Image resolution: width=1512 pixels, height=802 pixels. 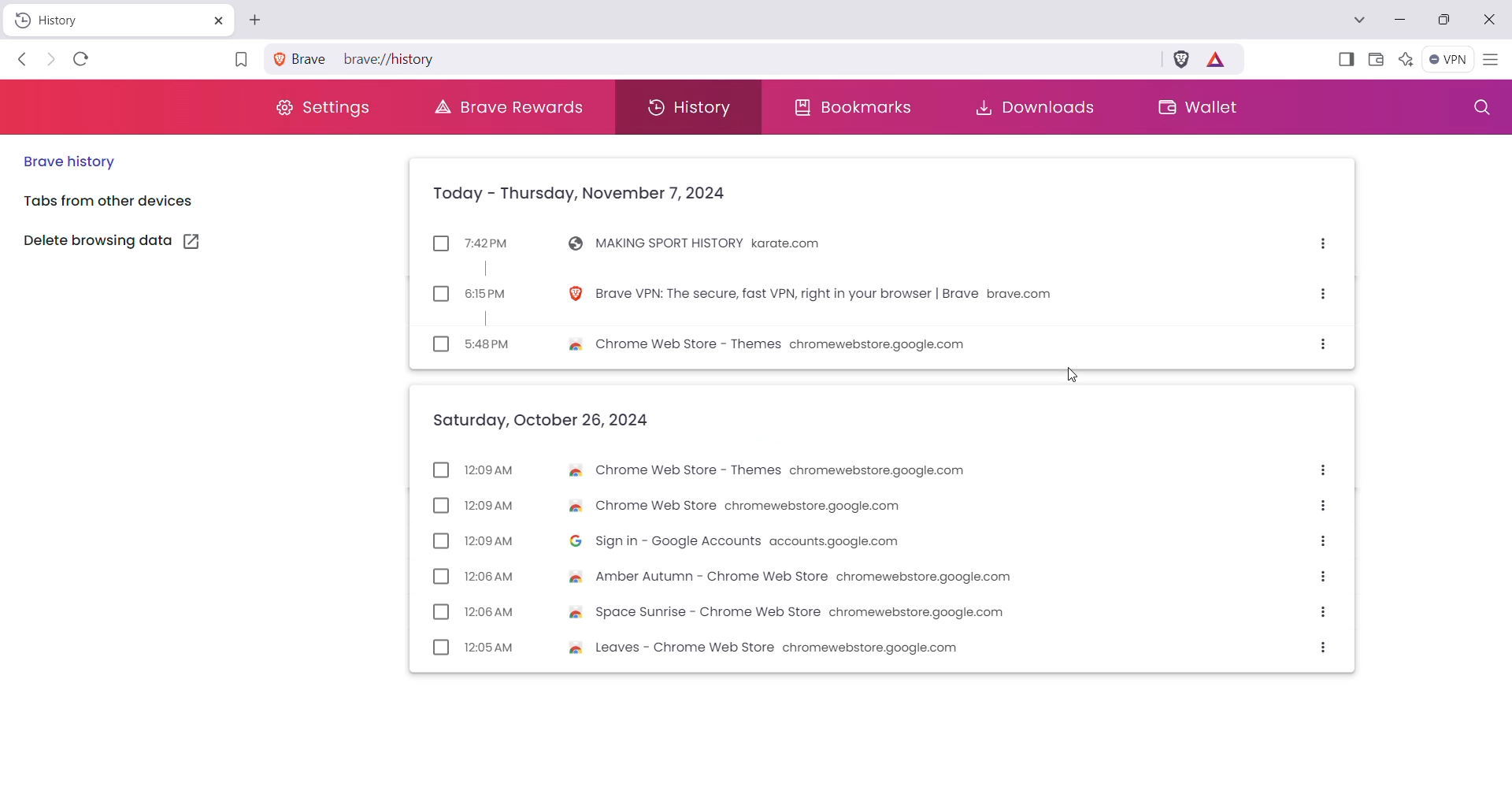 I want to click on 6:15PM, so click(x=487, y=291).